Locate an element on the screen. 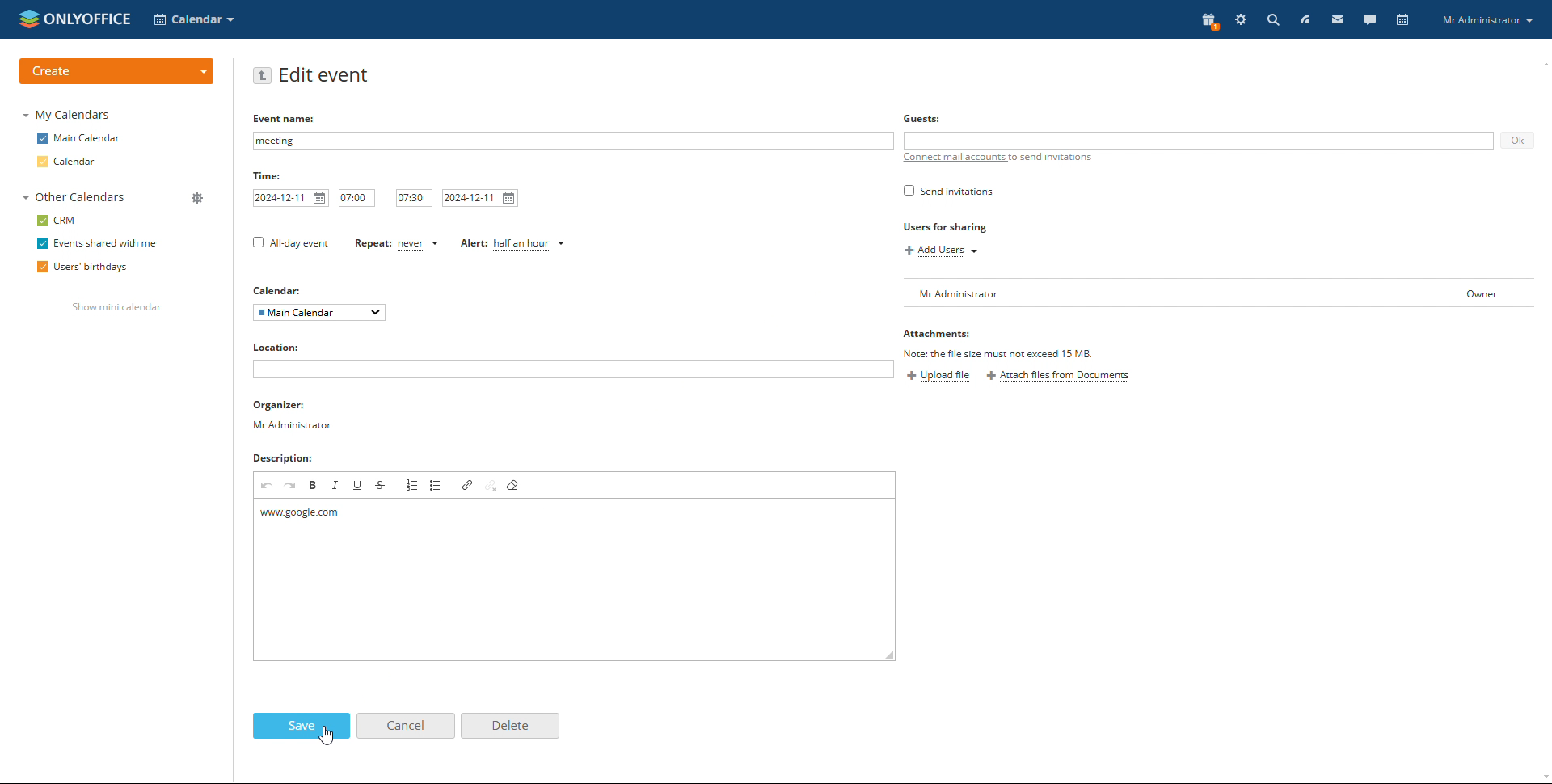 This screenshot has height=784, width=1552. crm is located at coordinates (57, 221).